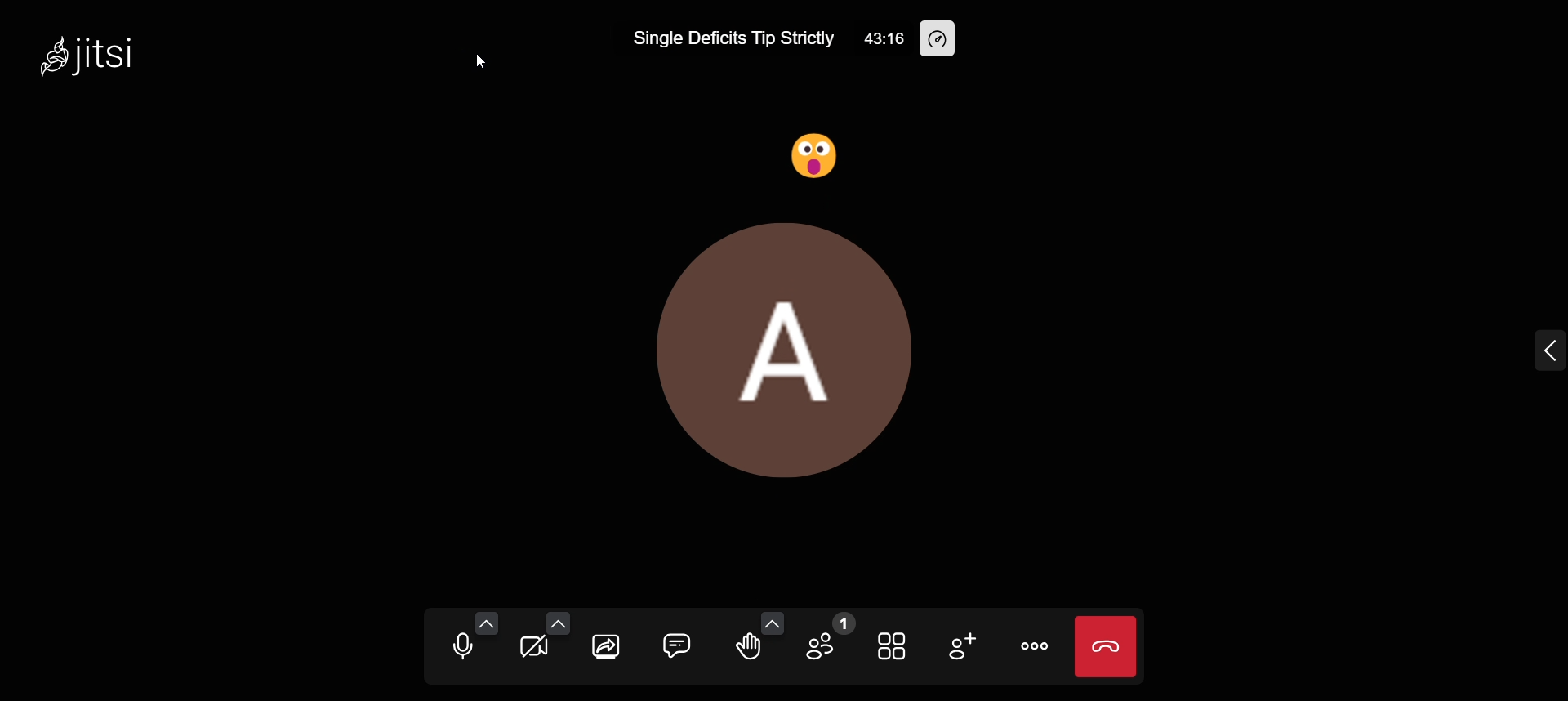  Describe the element at coordinates (88, 51) in the screenshot. I see `jitsi` at that location.